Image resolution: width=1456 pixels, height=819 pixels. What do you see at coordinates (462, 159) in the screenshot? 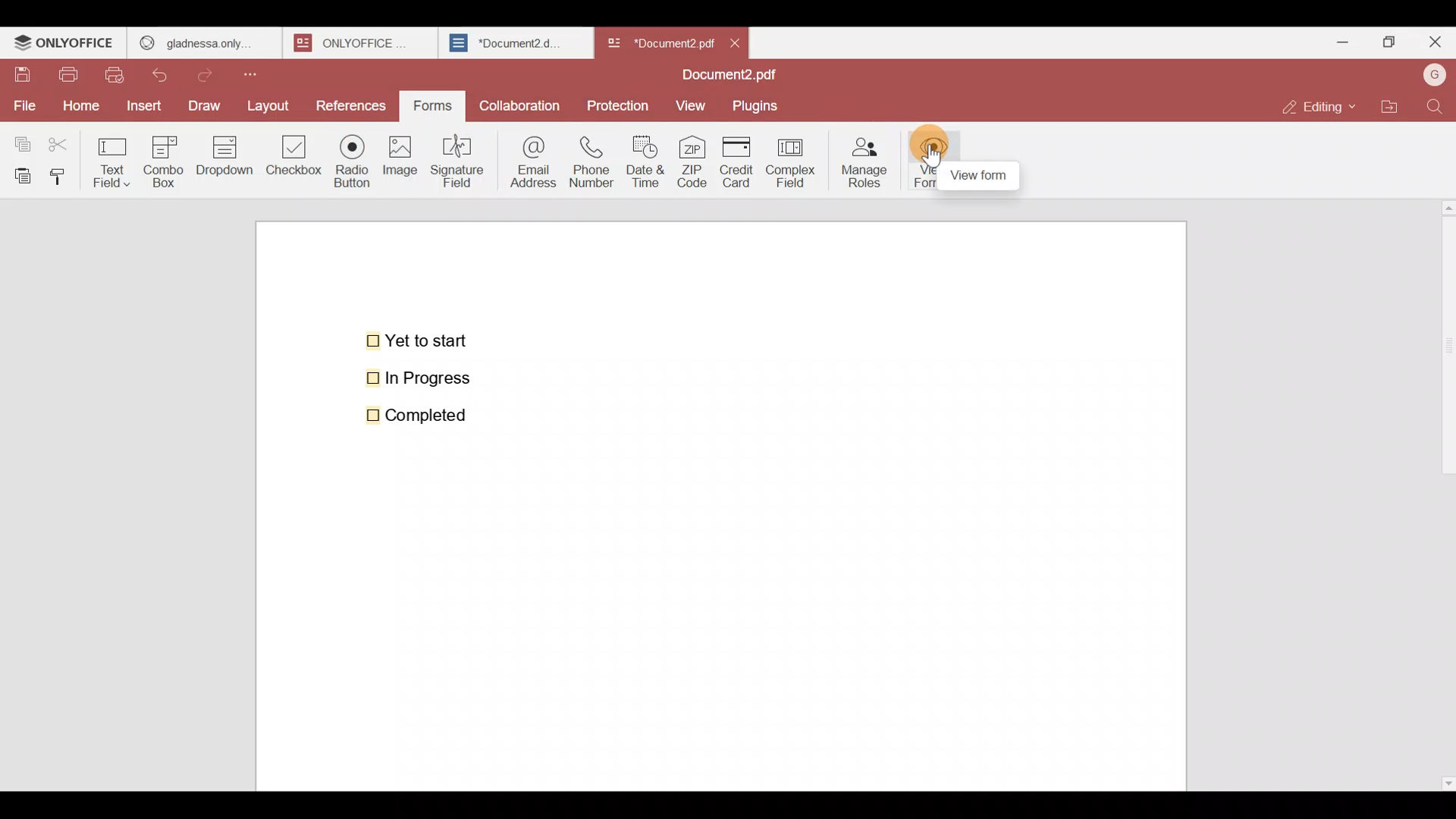
I see `Signature field` at bounding box center [462, 159].